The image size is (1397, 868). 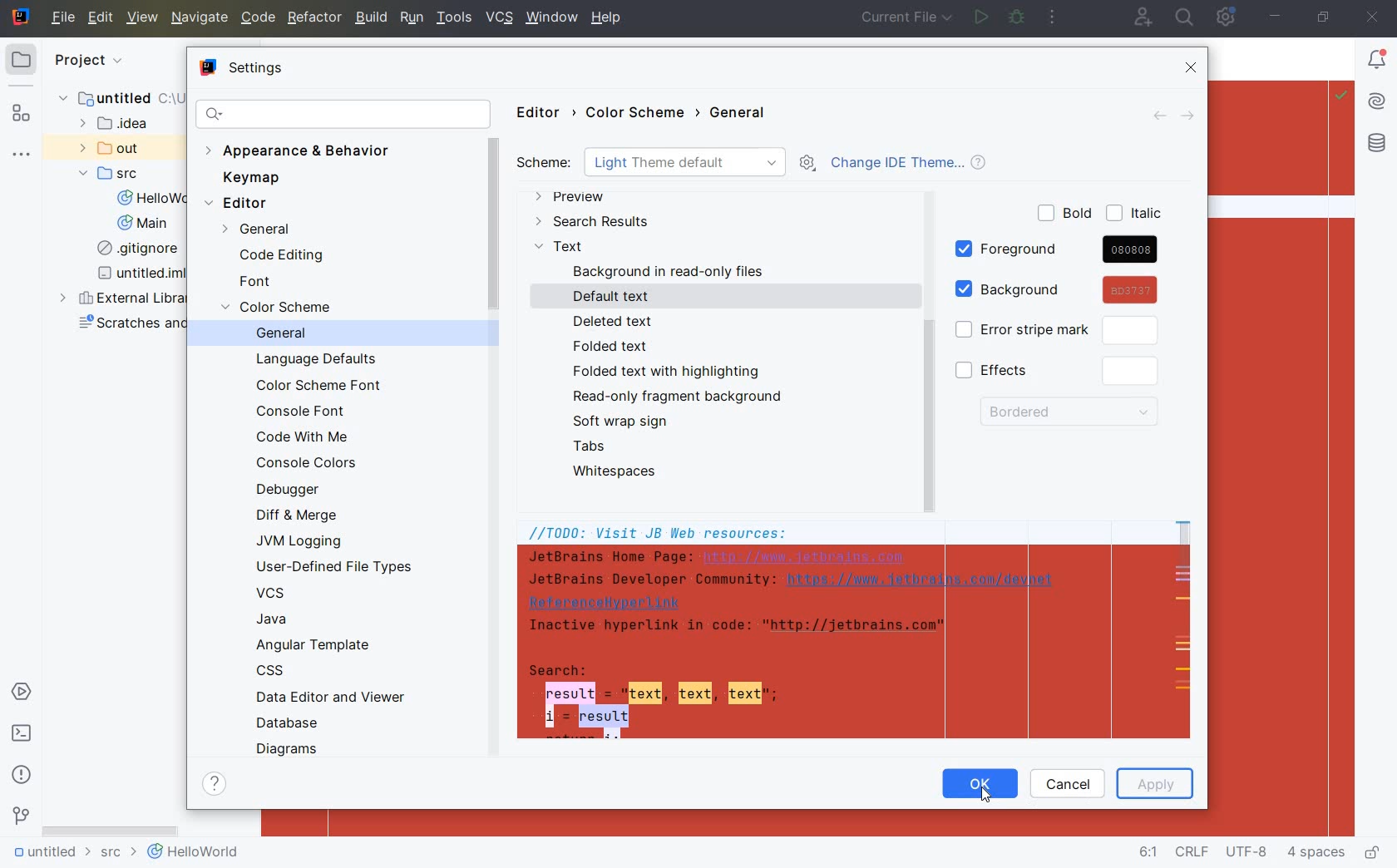 What do you see at coordinates (1378, 61) in the screenshot?
I see `Notifications` at bounding box center [1378, 61].